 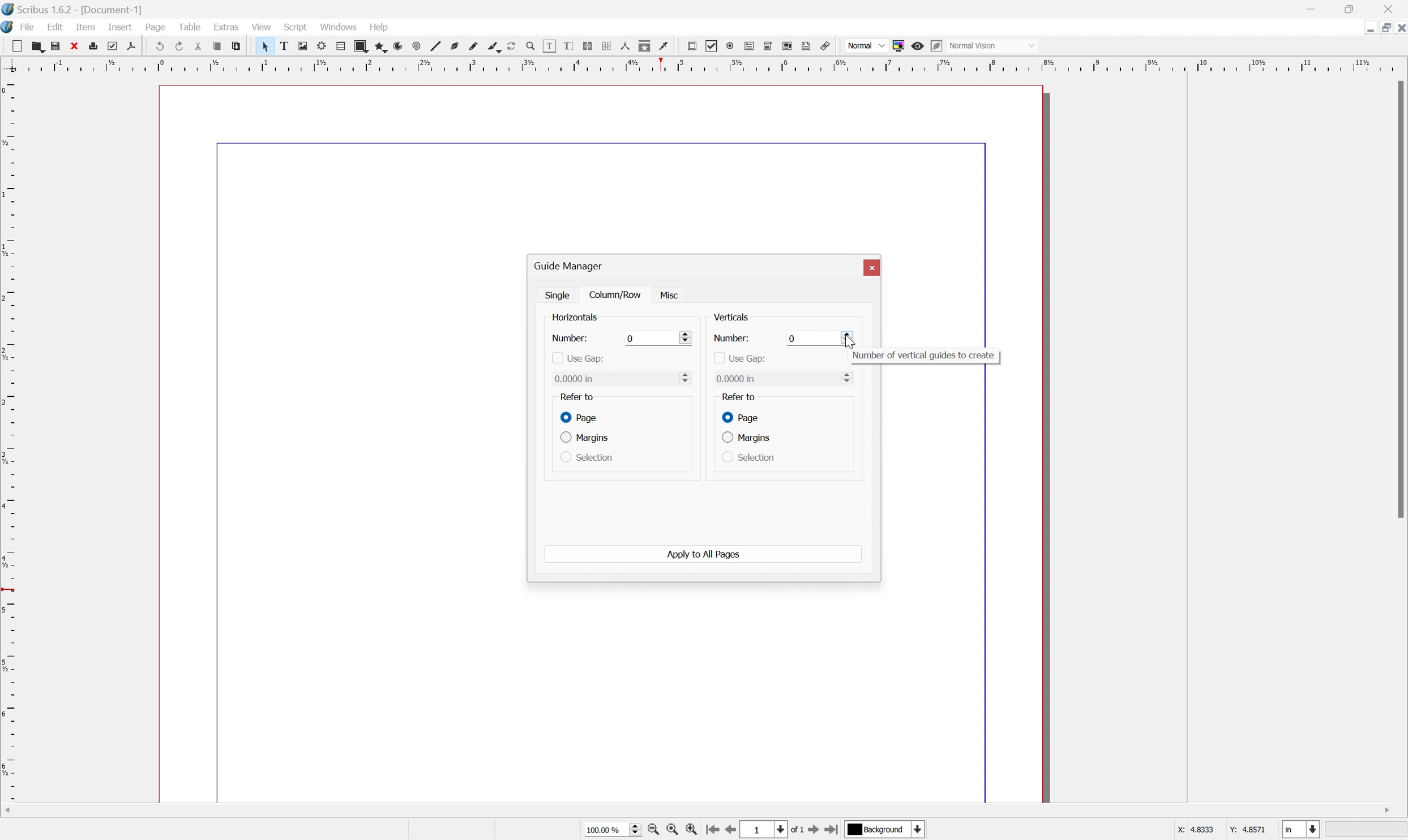 What do you see at coordinates (770, 45) in the screenshot?
I see `pdf combo box` at bounding box center [770, 45].